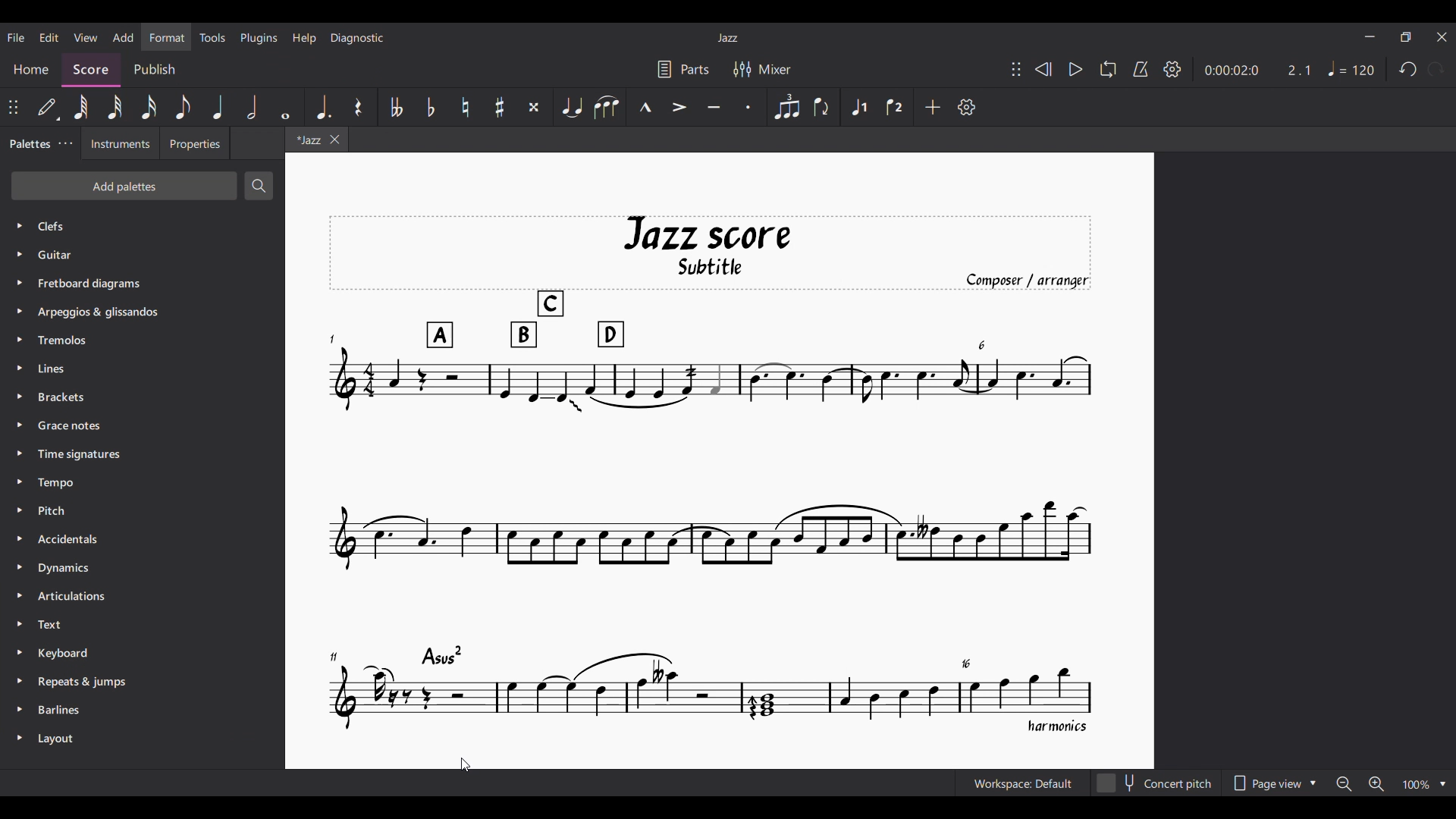 The image size is (1456, 819). I want to click on Fretboard, so click(88, 284).